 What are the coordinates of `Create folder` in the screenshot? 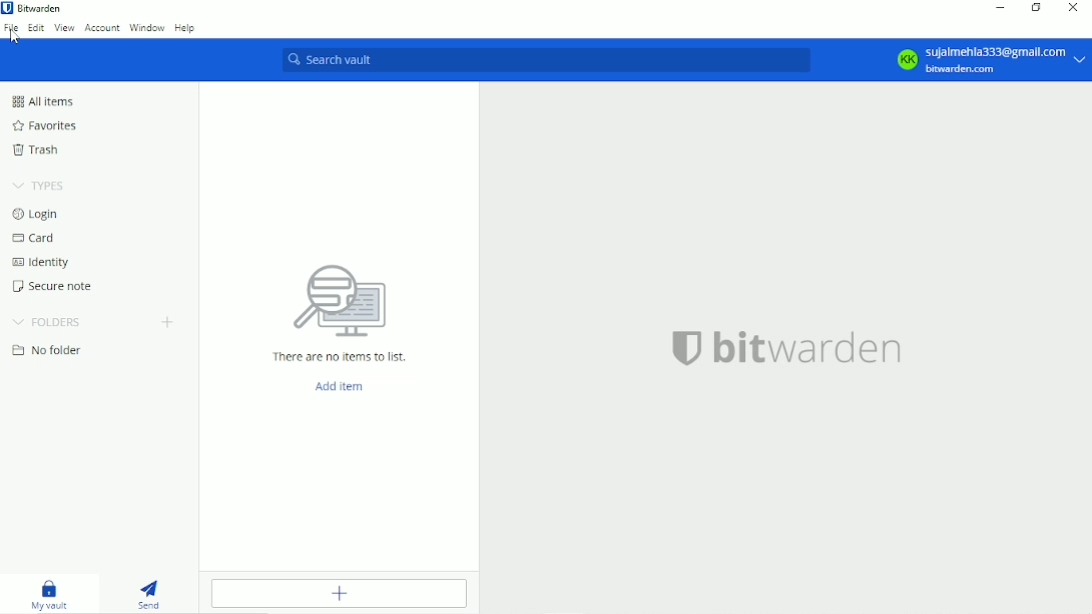 It's located at (166, 323).